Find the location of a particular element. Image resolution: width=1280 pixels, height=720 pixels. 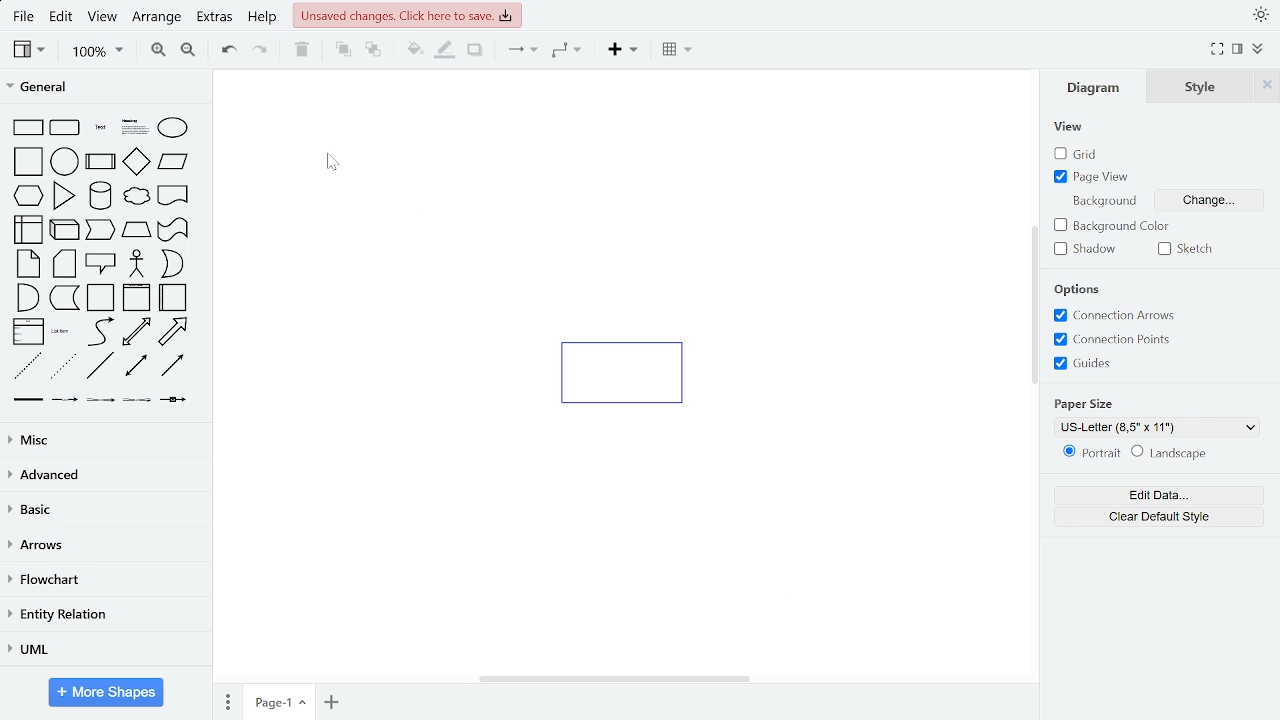

extras is located at coordinates (216, 19).